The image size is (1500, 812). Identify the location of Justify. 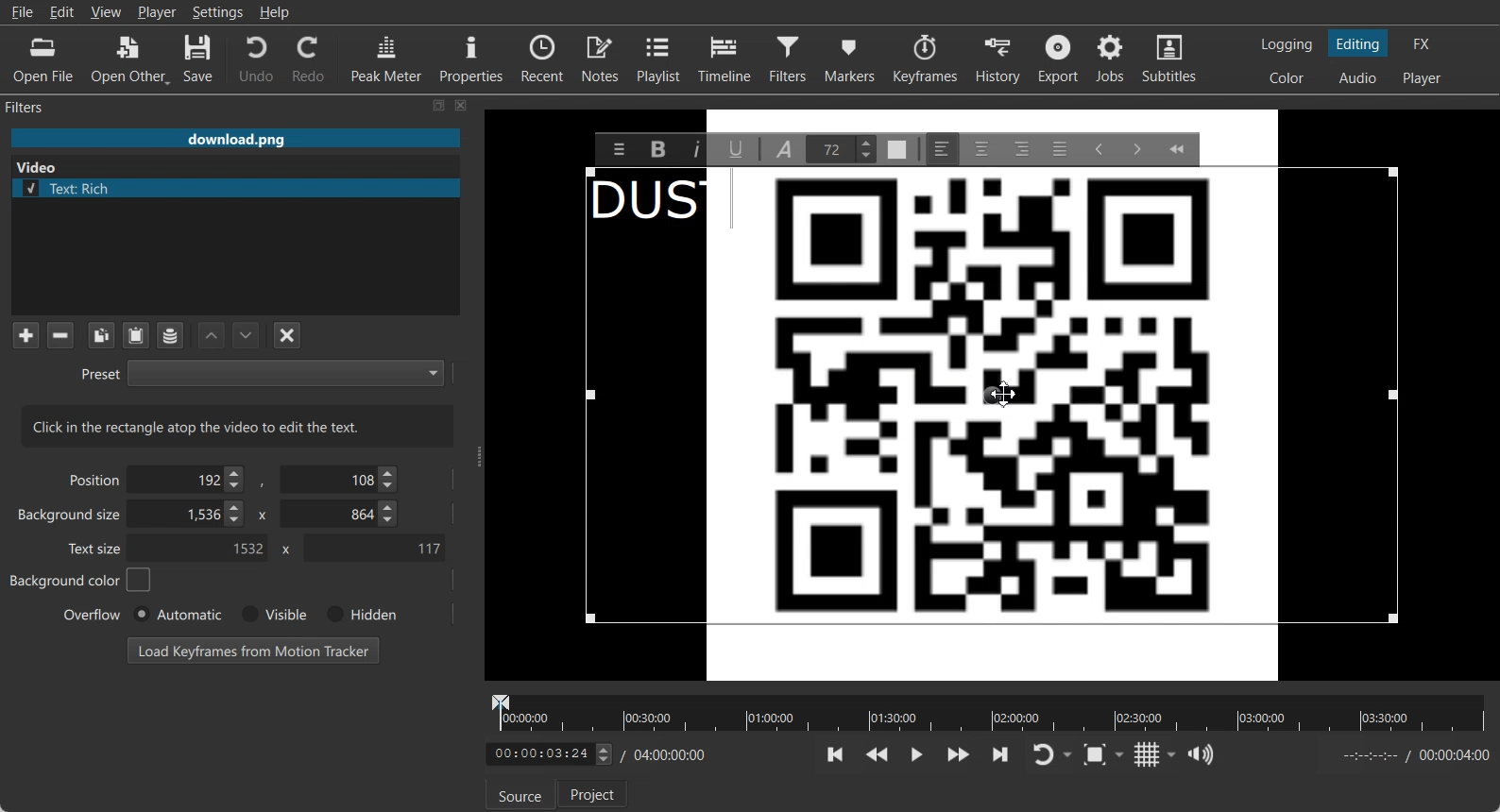
(1061, 149).